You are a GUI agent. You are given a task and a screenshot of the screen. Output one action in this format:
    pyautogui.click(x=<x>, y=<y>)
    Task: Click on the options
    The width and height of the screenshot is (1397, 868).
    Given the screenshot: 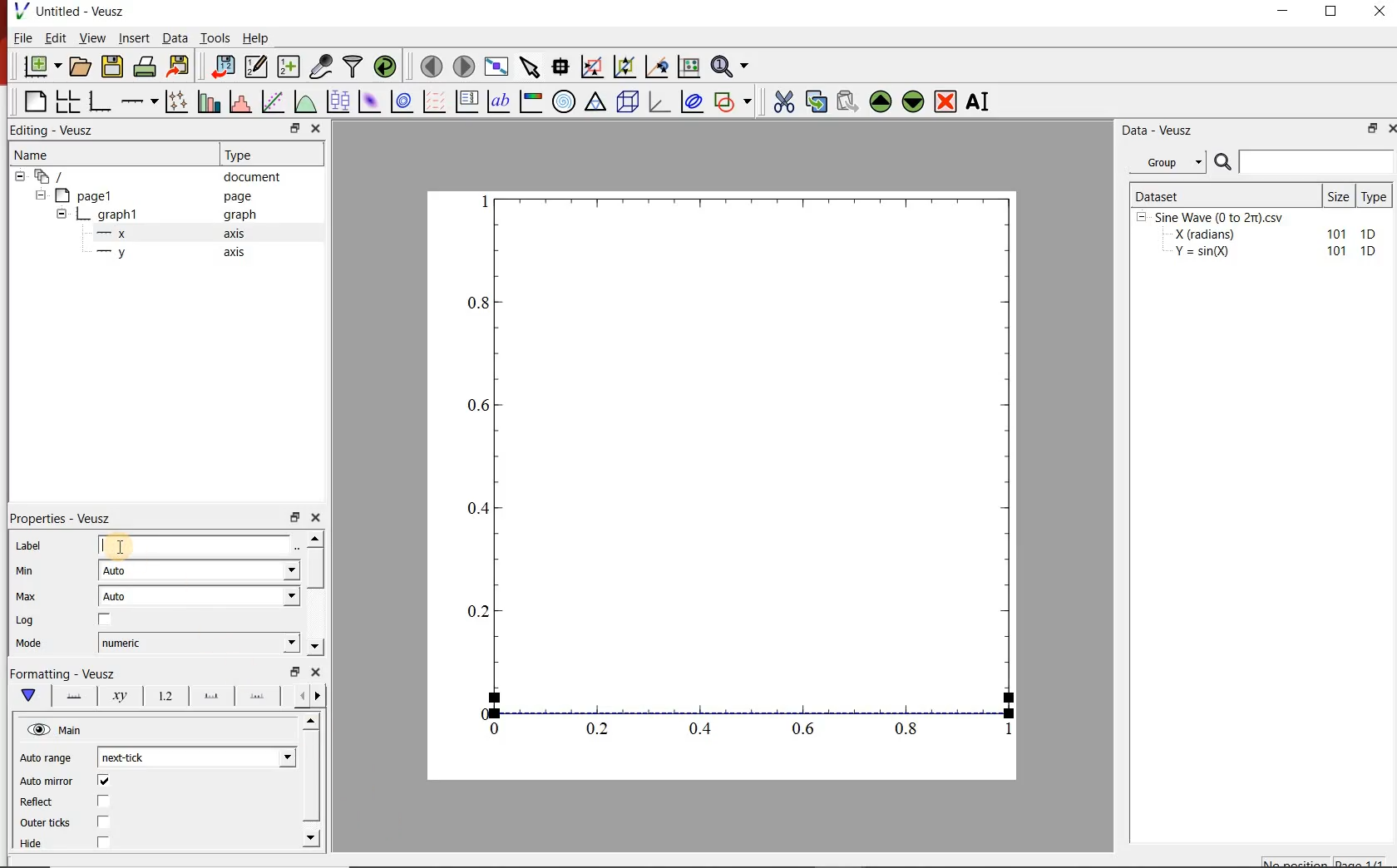 What is the action you would take?
    pyautogui.click(x=257, y=698)
    